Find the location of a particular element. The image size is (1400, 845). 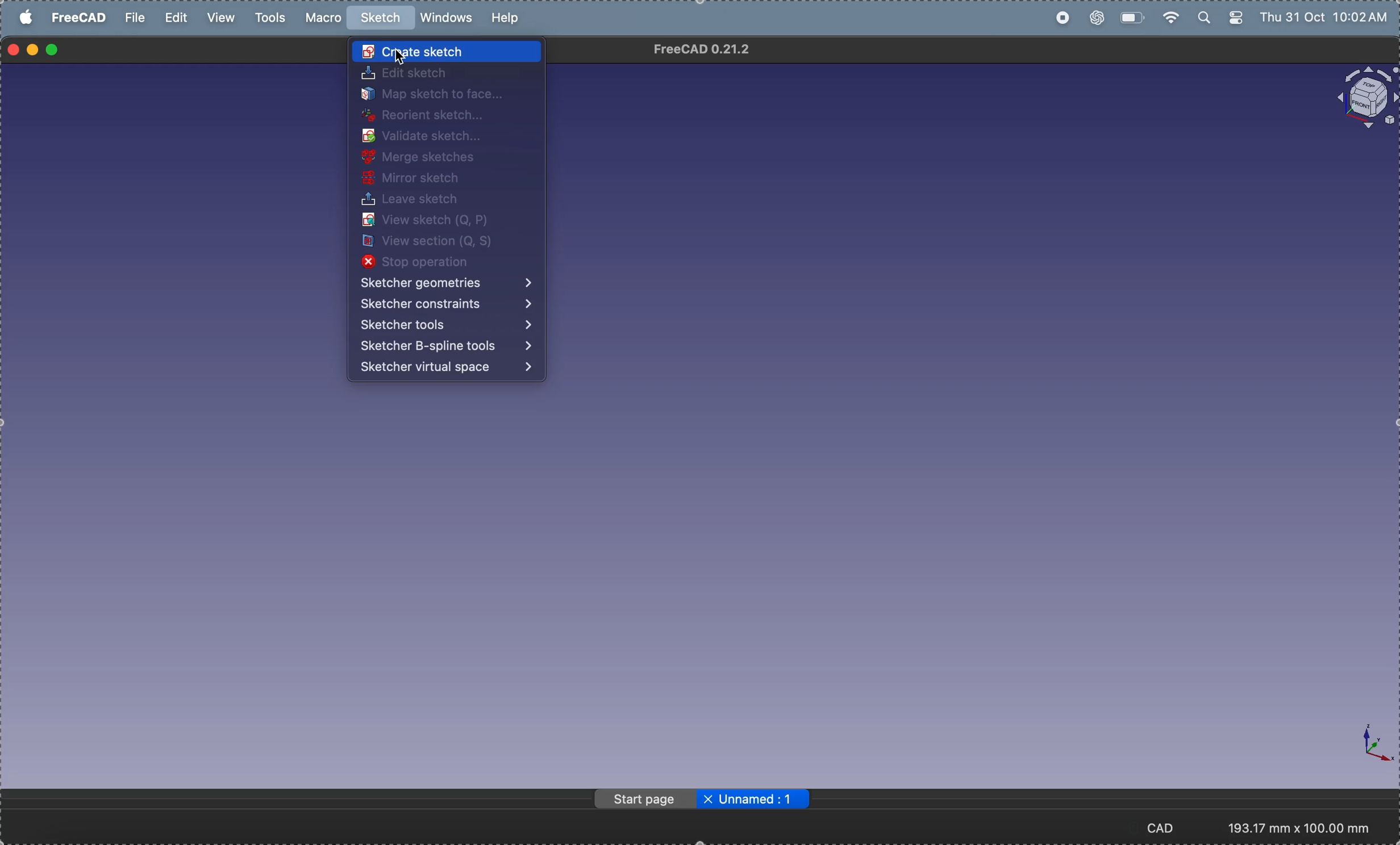

merge sketches is located at coordinates (431, 158).